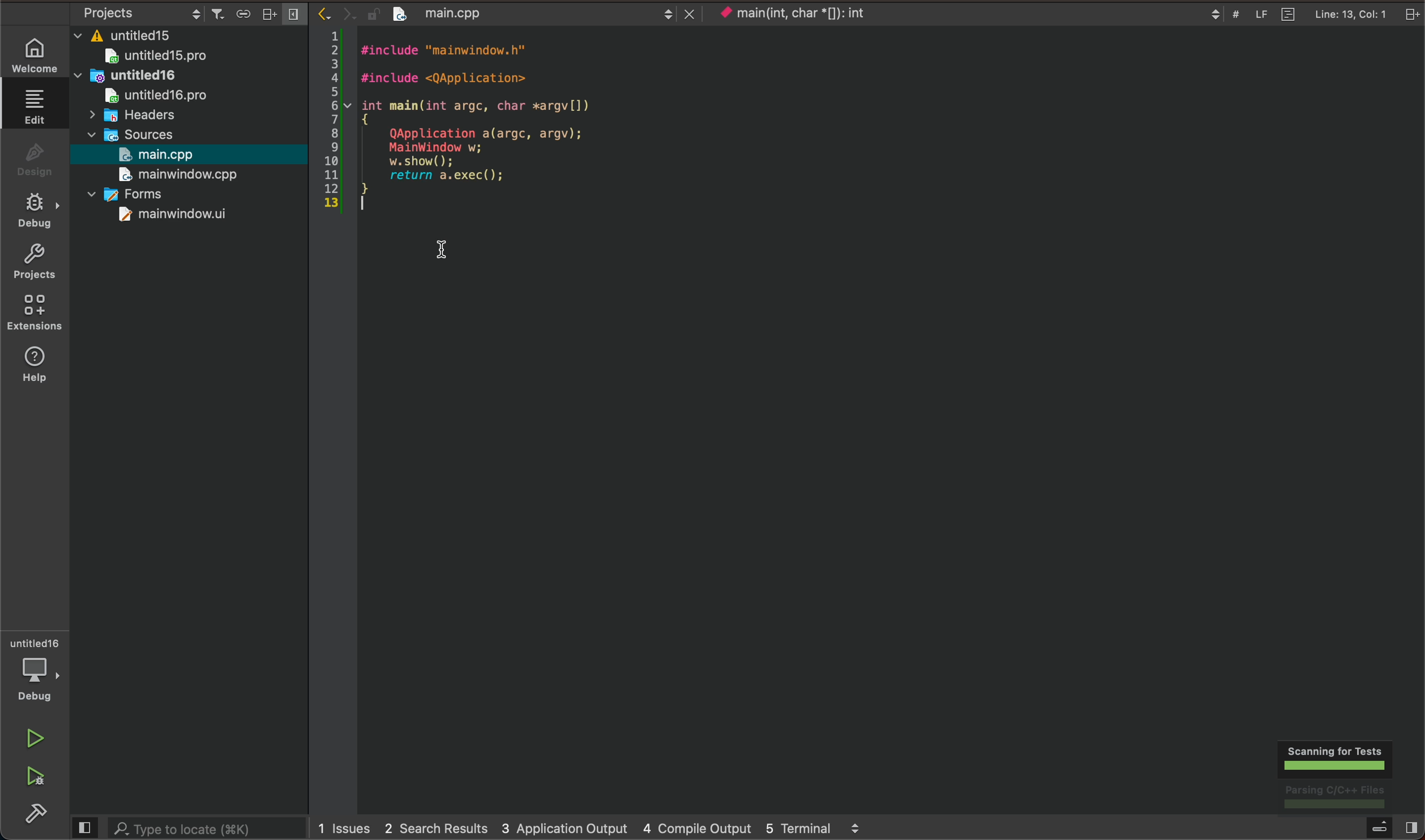 The height and width of the screenshot is (840, 1425). Describe the element at coordinates (38, 53) in the screenshot. I see `welcome` at that location.